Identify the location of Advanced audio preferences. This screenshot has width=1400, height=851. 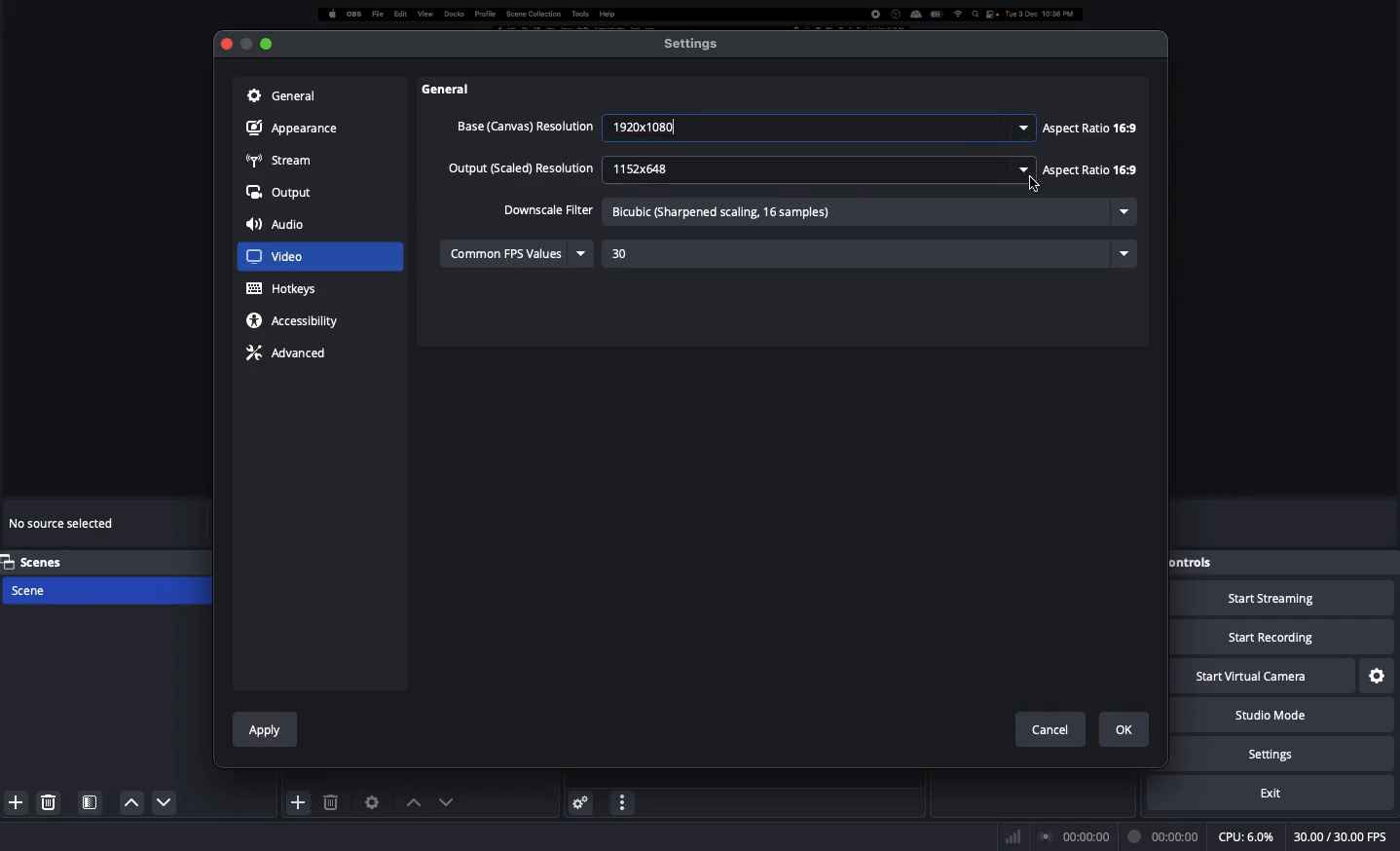
(580, 801).